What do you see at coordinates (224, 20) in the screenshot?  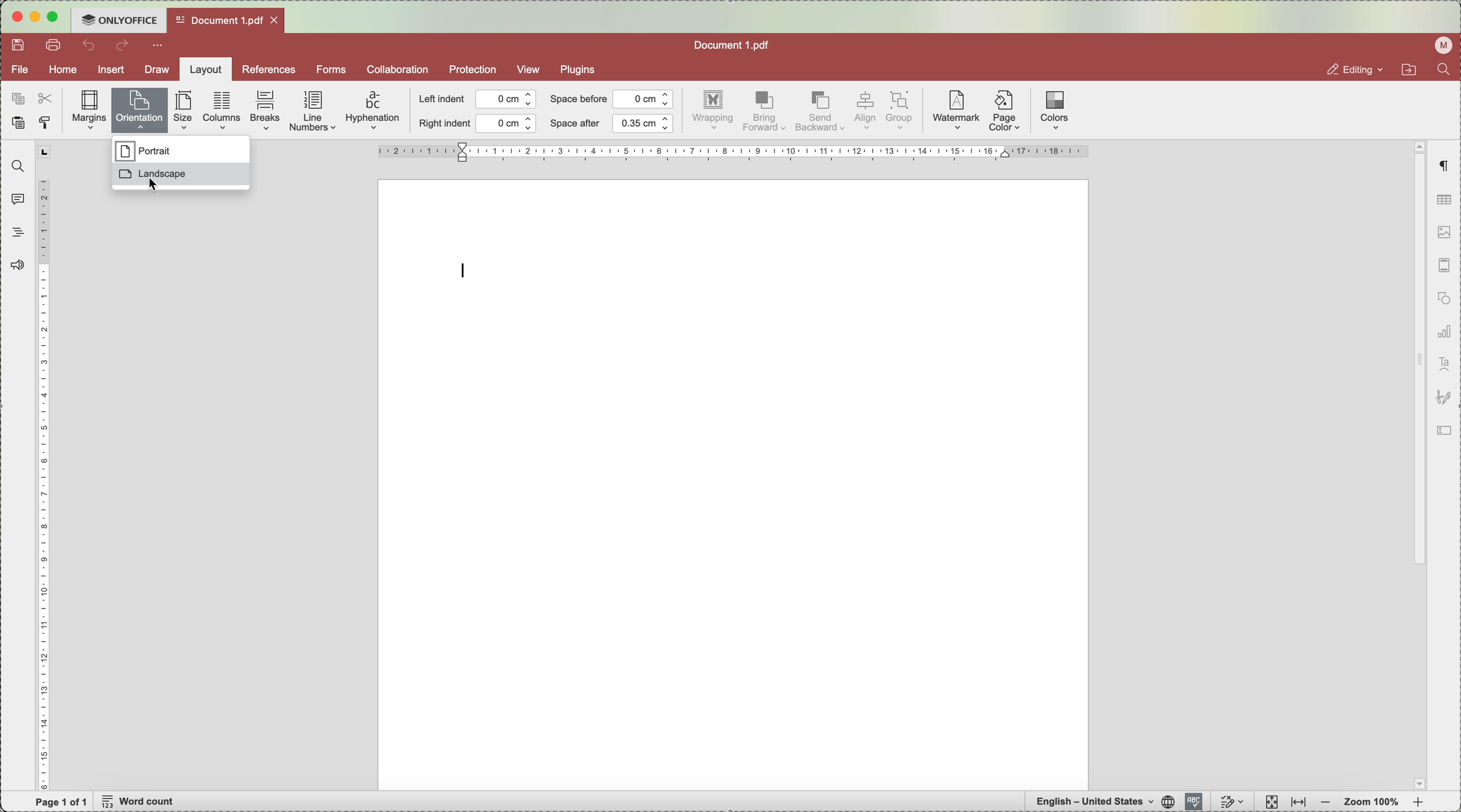 I see `open file` at bounding box center [224, 20].